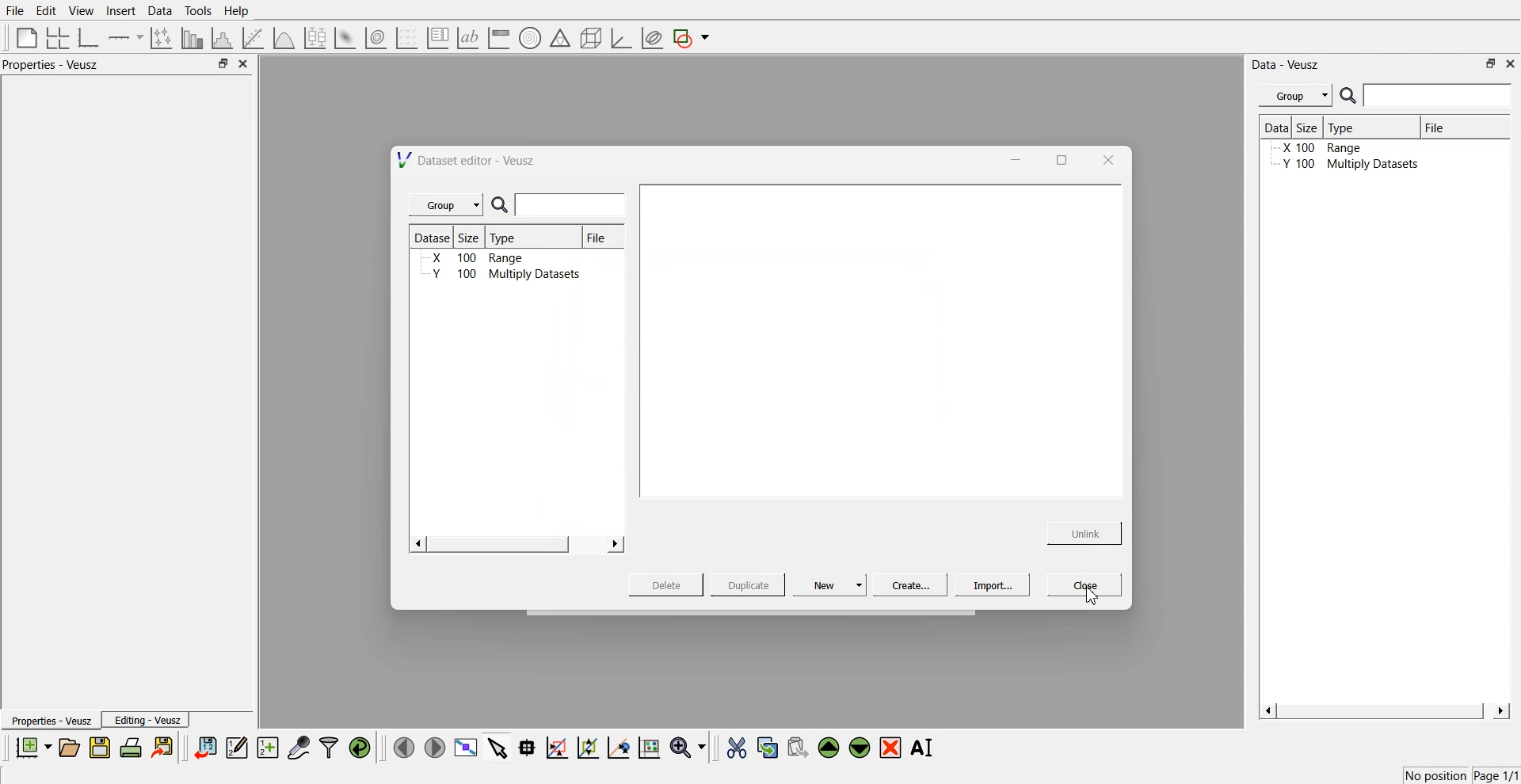 The height and width of the screenshot is (784, 1521). What do you see at coordinates (1107, 159) in the screenshot?
I see `close` at bounding box center [1107, 159].